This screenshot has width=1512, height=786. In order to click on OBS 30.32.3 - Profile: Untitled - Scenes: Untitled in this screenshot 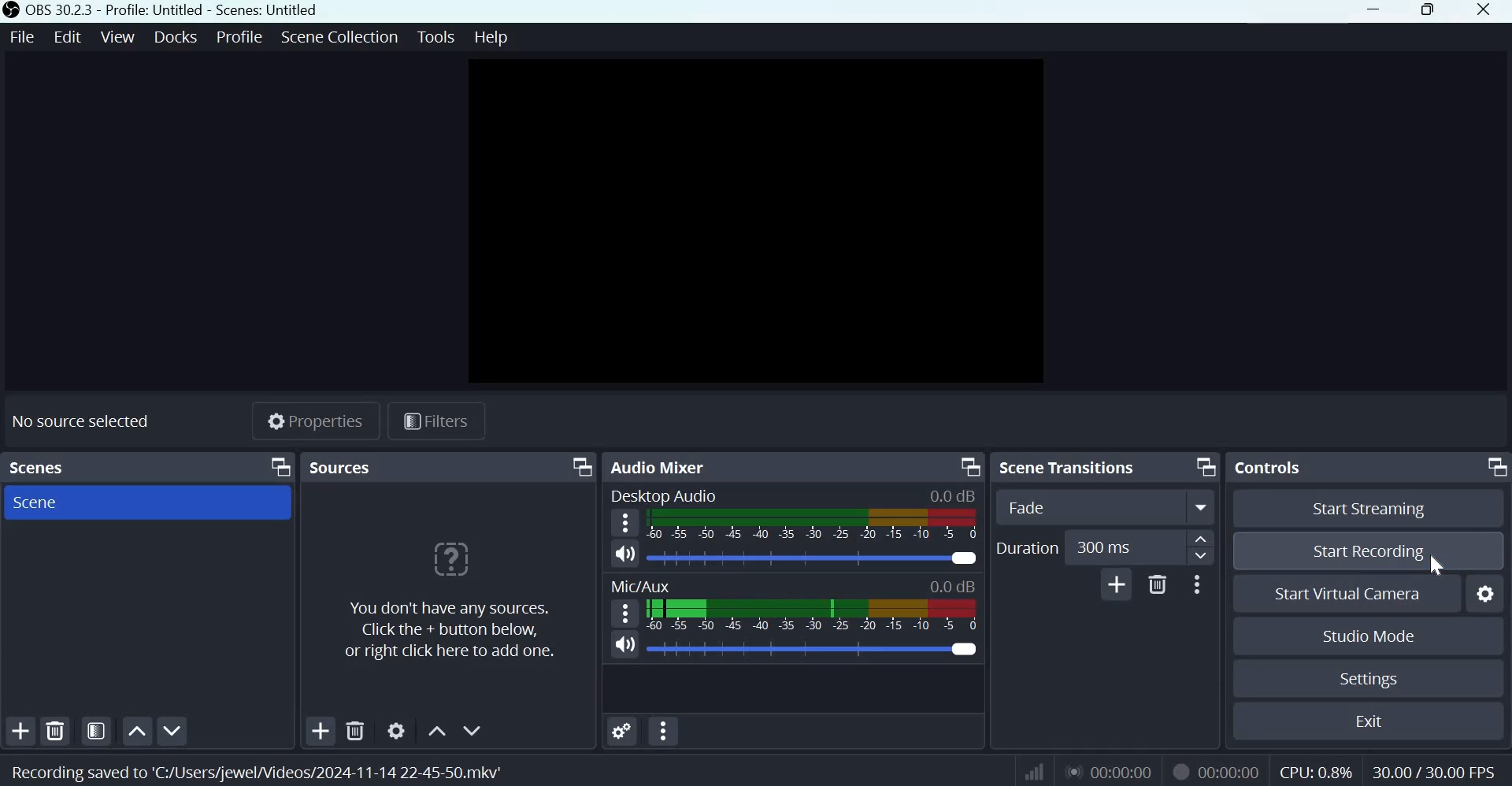, I will do `click(172, 11)`.